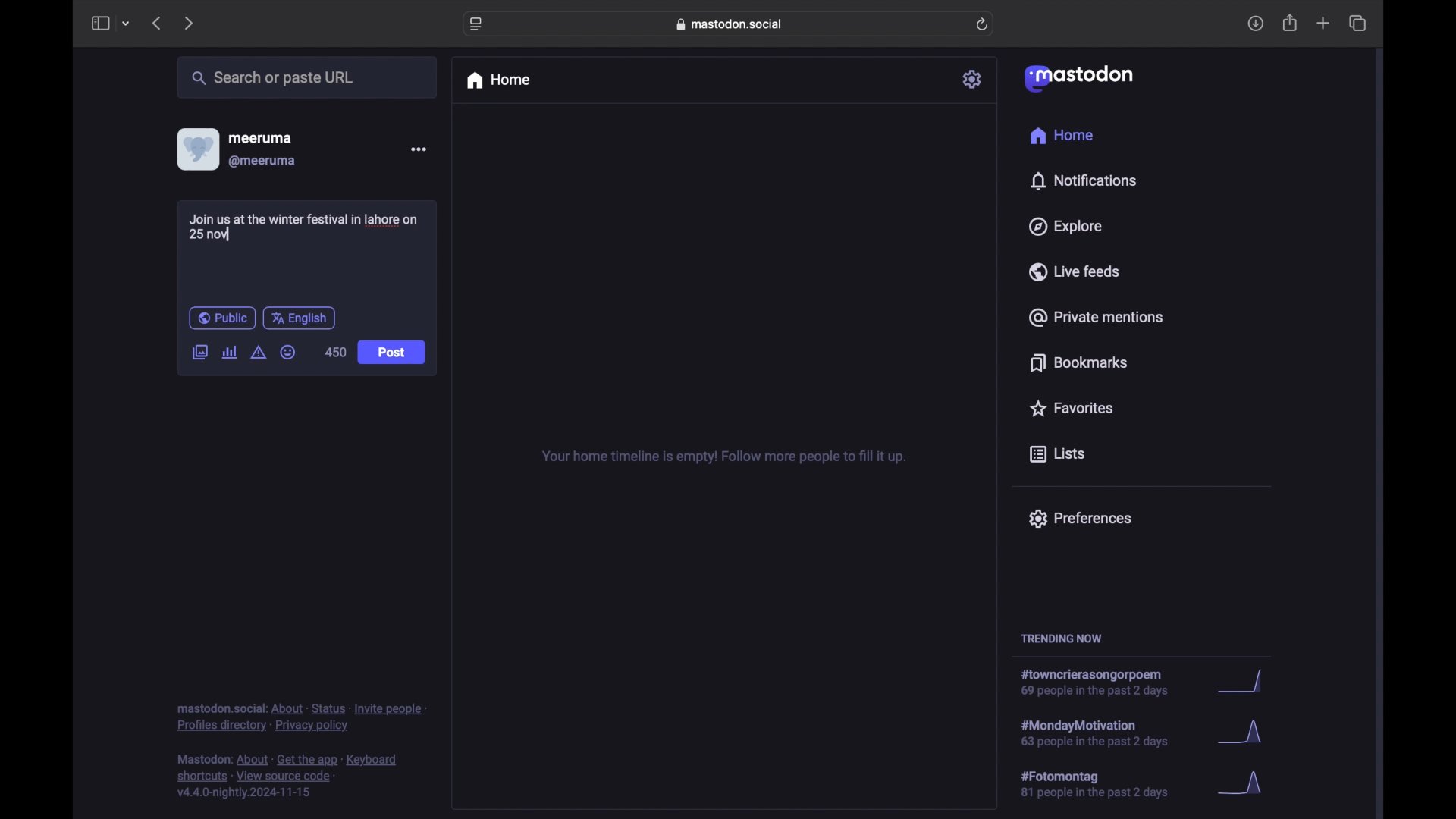 This screenshot has height=819, width=1456. Describe the element at coordinates (302, 717) in the screenshot. I see `footnote` at that location.